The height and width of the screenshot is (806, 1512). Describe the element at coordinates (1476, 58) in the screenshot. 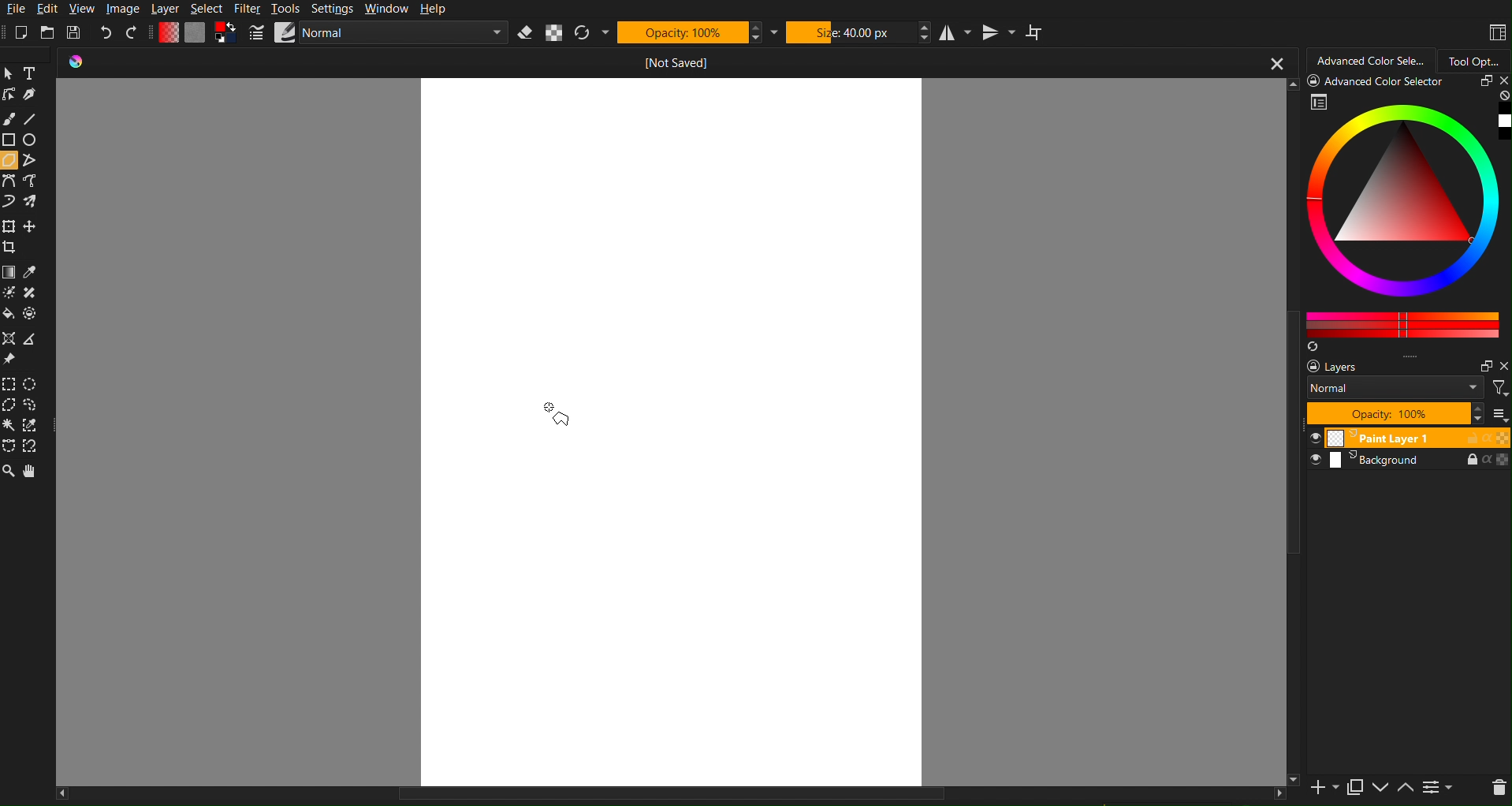

I see `Tool Options` at that location.